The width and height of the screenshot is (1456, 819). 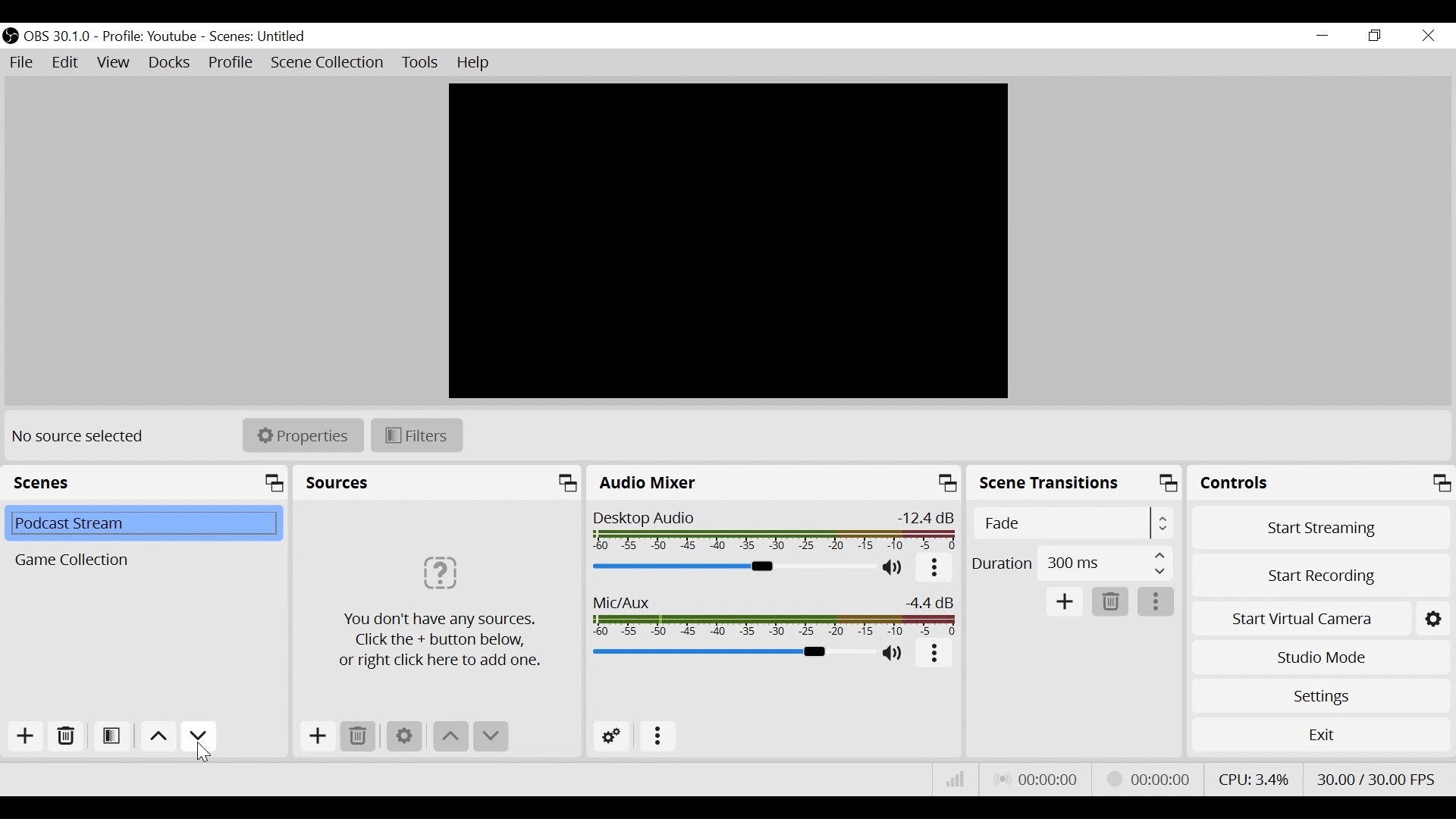 What do you see at coordinates (936, 655) in the screenshot?
I see `more options` at bounding box center [936, 655].